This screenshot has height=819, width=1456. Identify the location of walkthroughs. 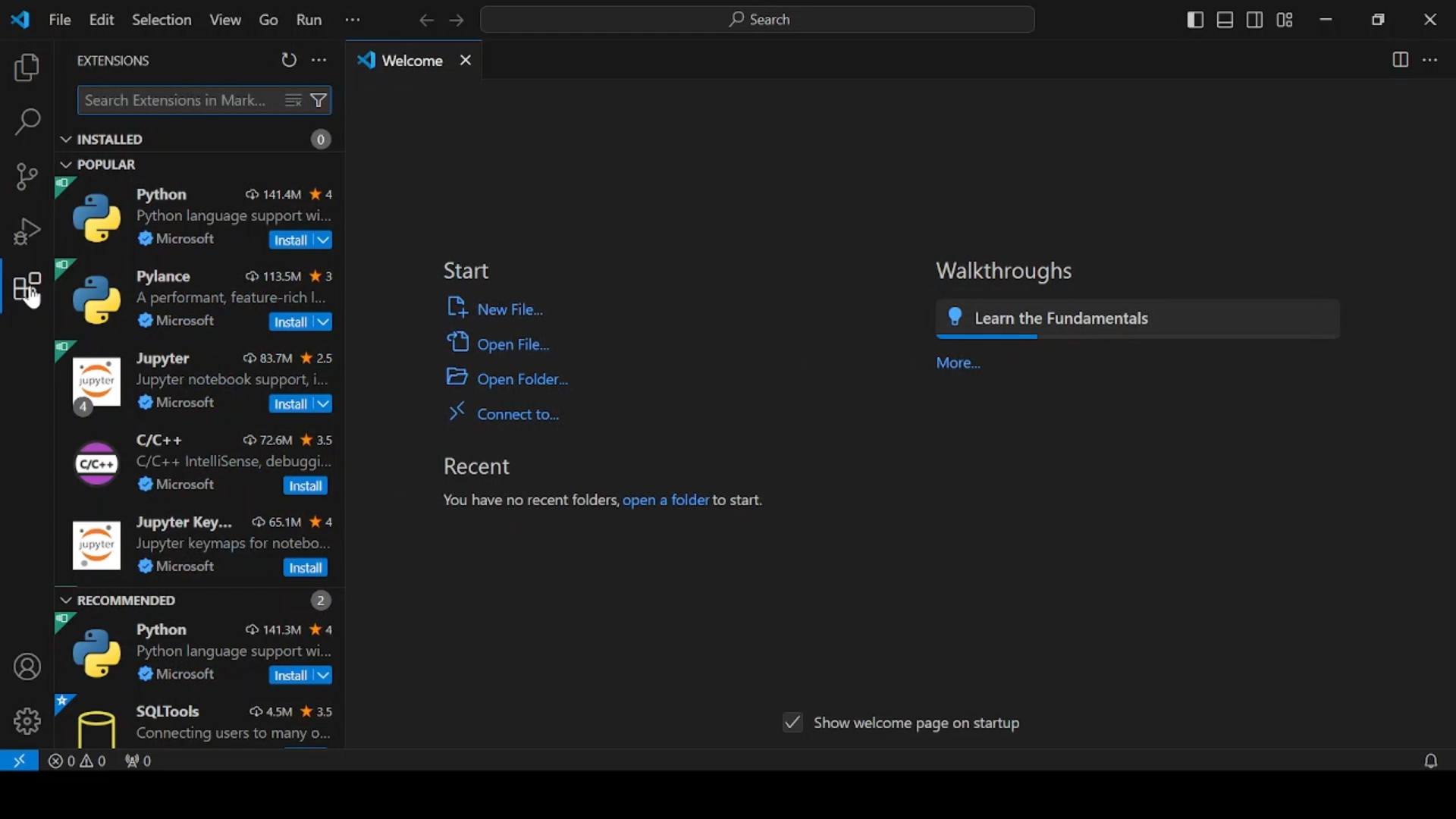
(997, 272).